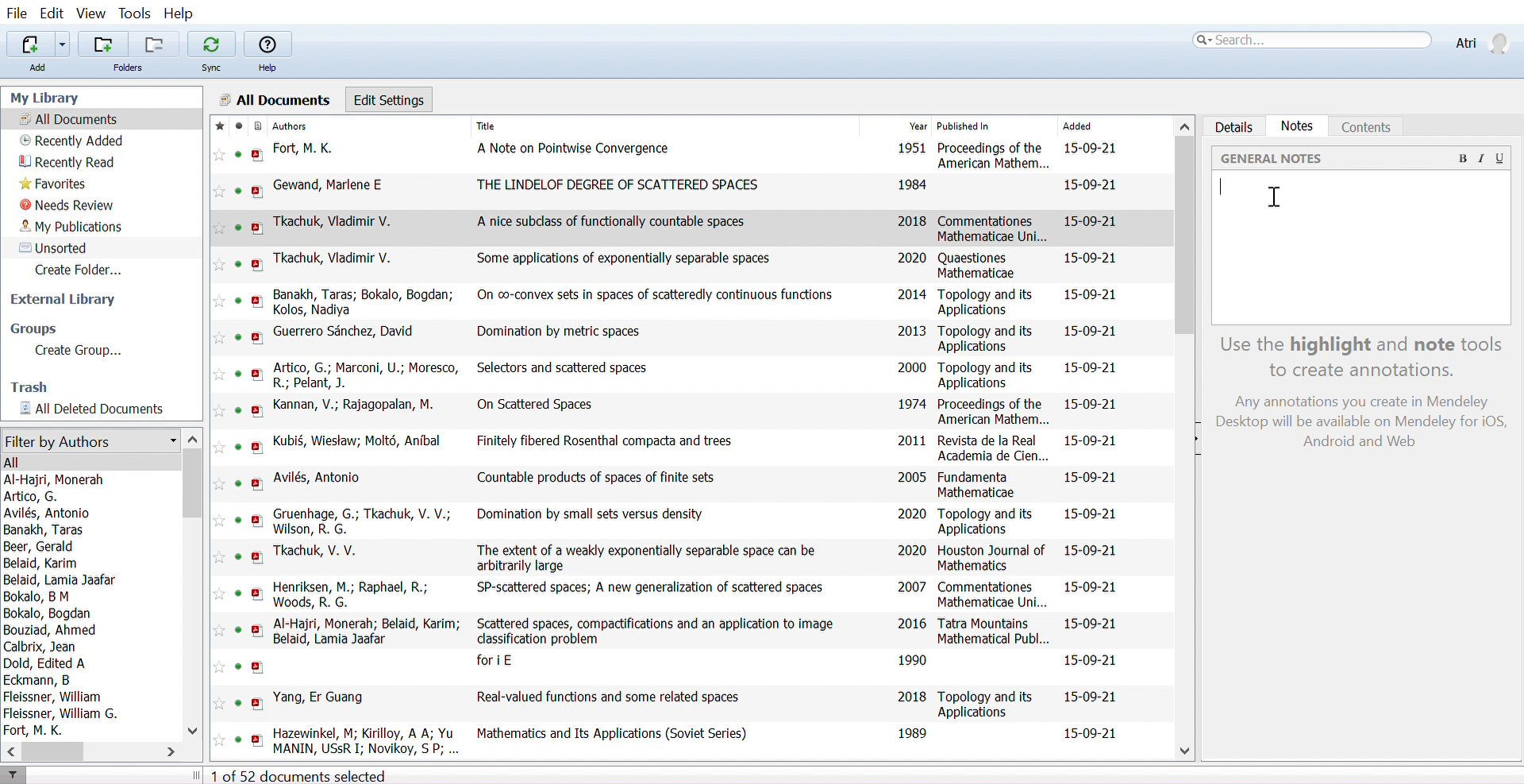  What do you see at coordinates (152, 44) in the screenshot?
I see `Remove folders` at bounding box center [152, 44].